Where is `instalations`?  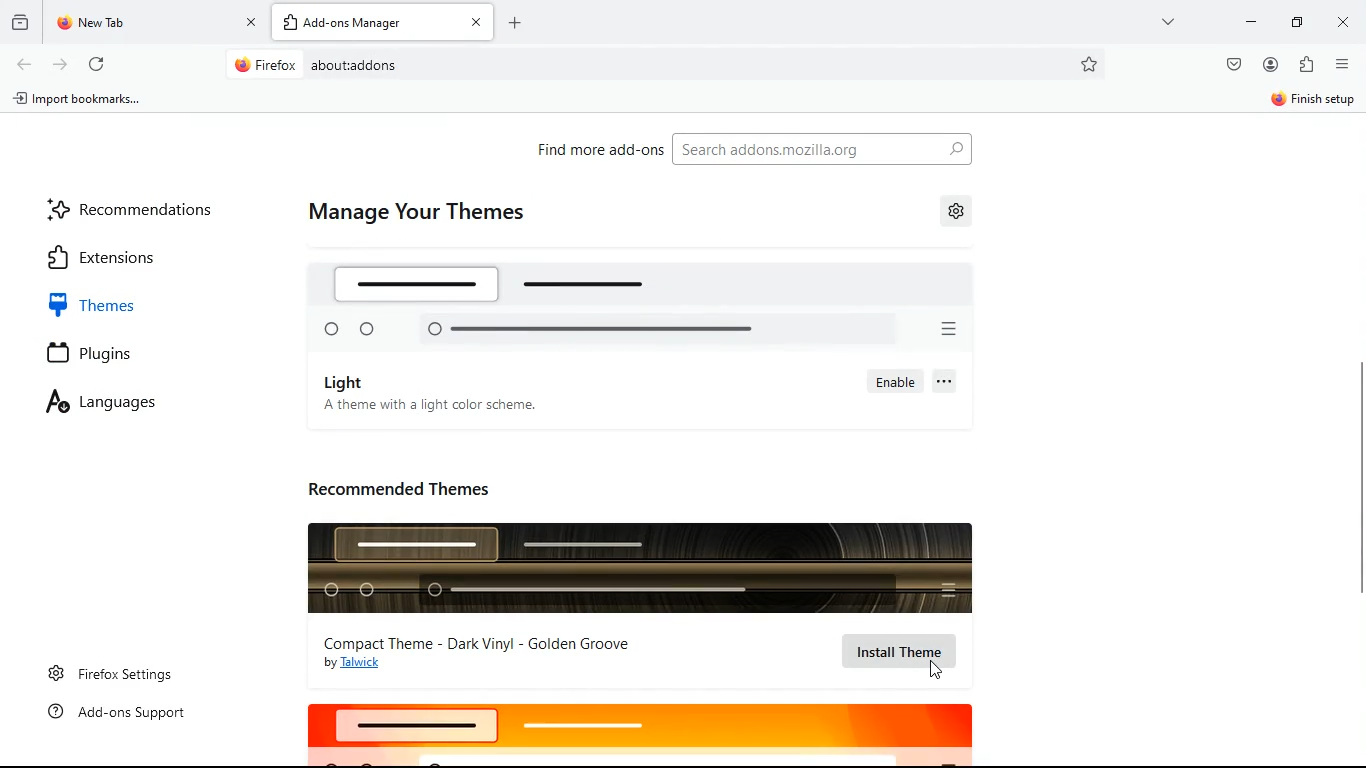 instalations is located at coordinates (1306, 66).